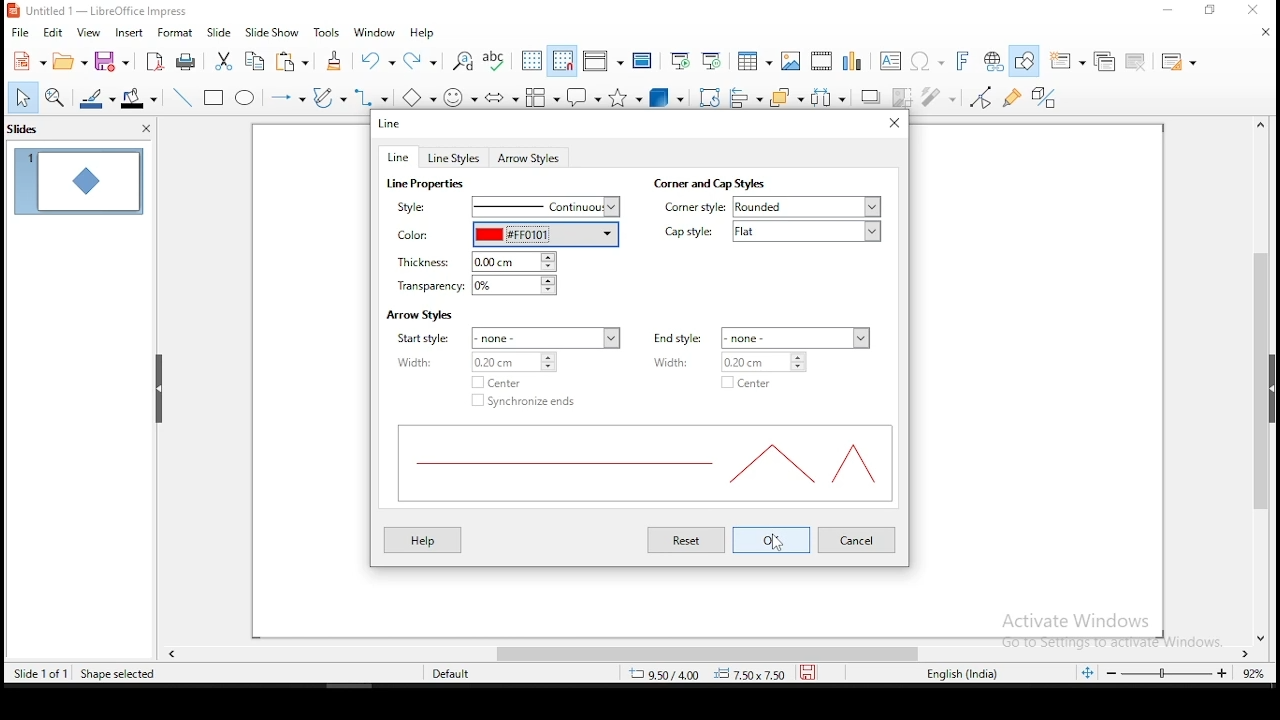 This screenshot has width=1280, height=720. What do you see at coordinates (744, 94) in the screenshot?
I see `align objects` at bounding box center [744, 94].